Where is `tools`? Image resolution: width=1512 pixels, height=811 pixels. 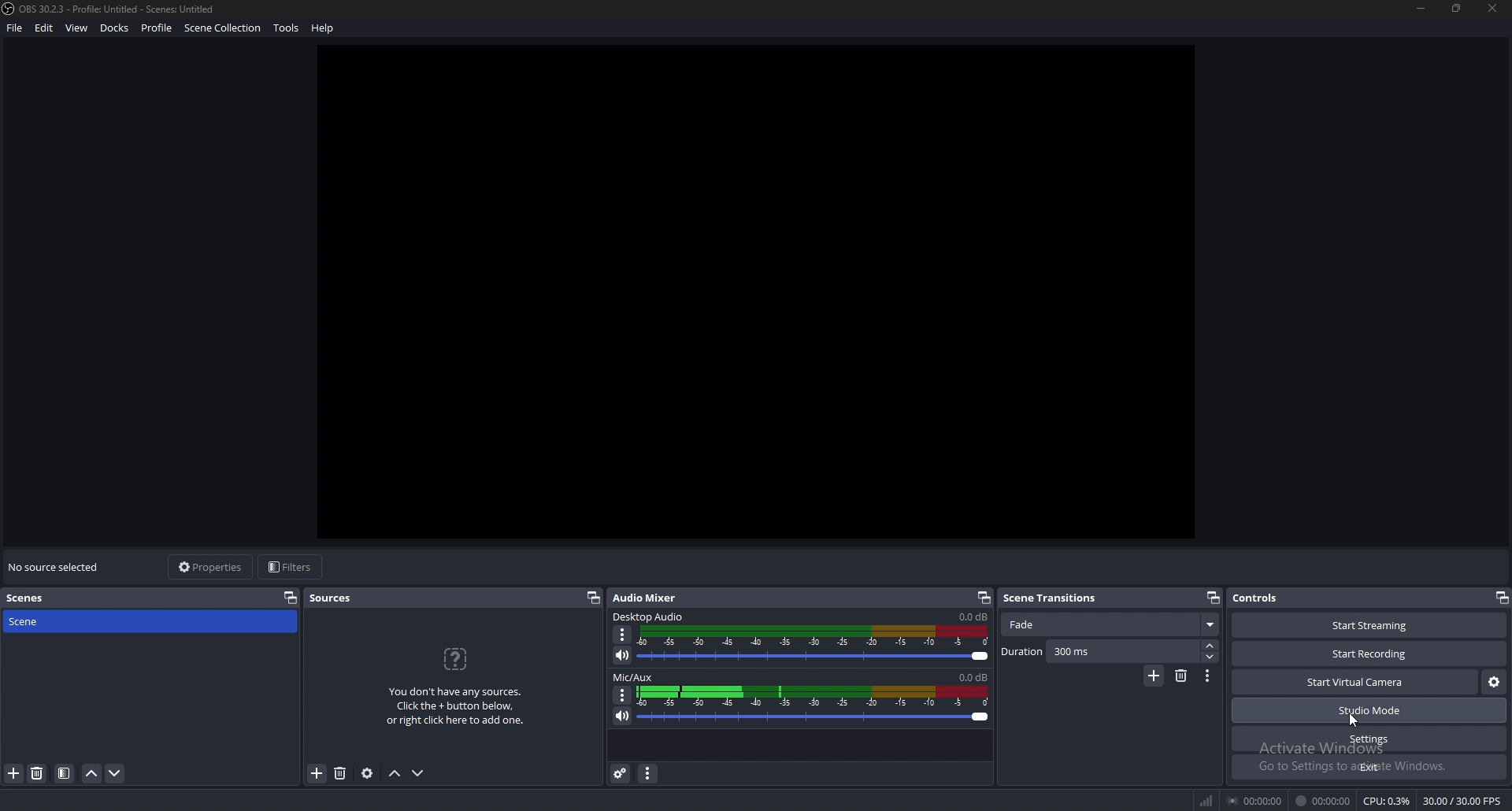
tools is located at coordinates (286, 28).